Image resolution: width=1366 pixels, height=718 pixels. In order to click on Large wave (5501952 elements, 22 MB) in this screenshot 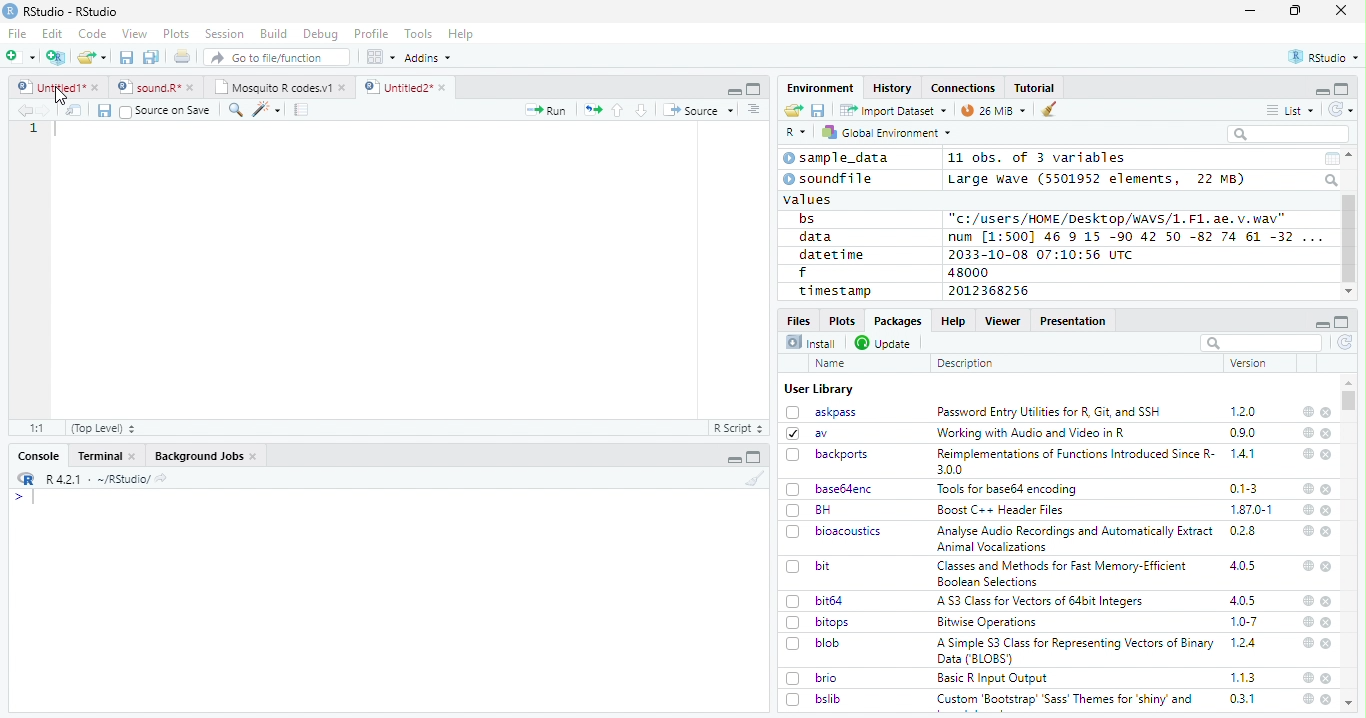, I will do `click(1099, 179)`.